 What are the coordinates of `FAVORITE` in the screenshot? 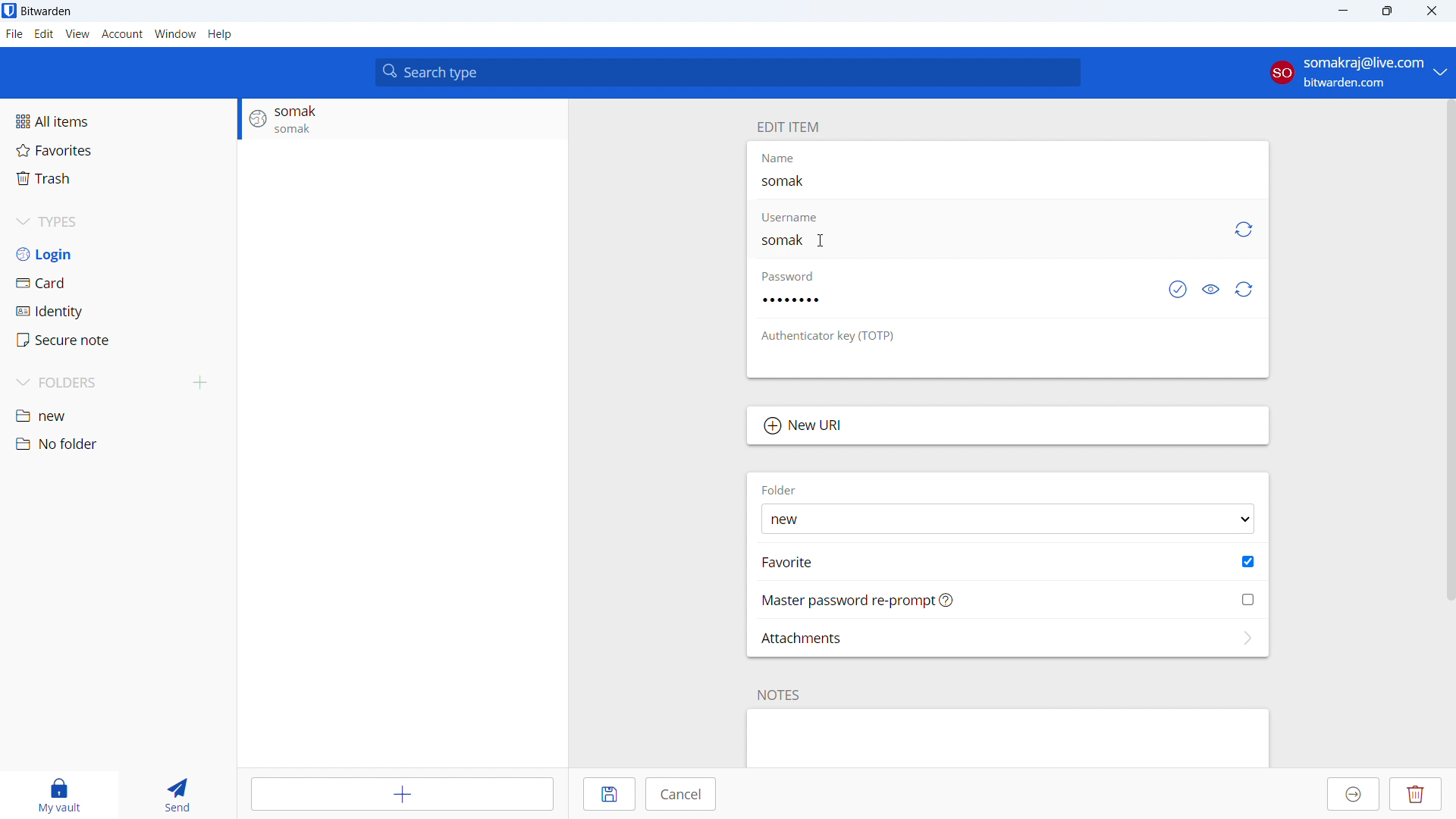 It's located at (789, 562).